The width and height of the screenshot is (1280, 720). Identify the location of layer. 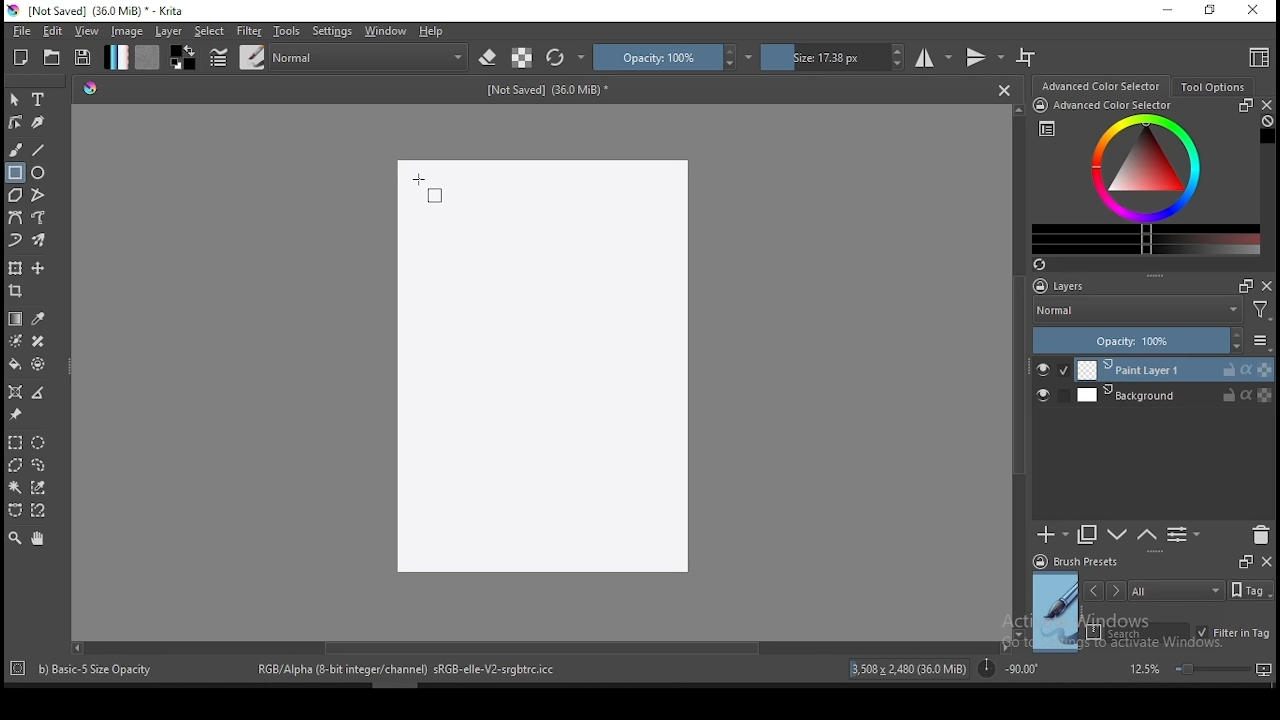
(1174, 395).